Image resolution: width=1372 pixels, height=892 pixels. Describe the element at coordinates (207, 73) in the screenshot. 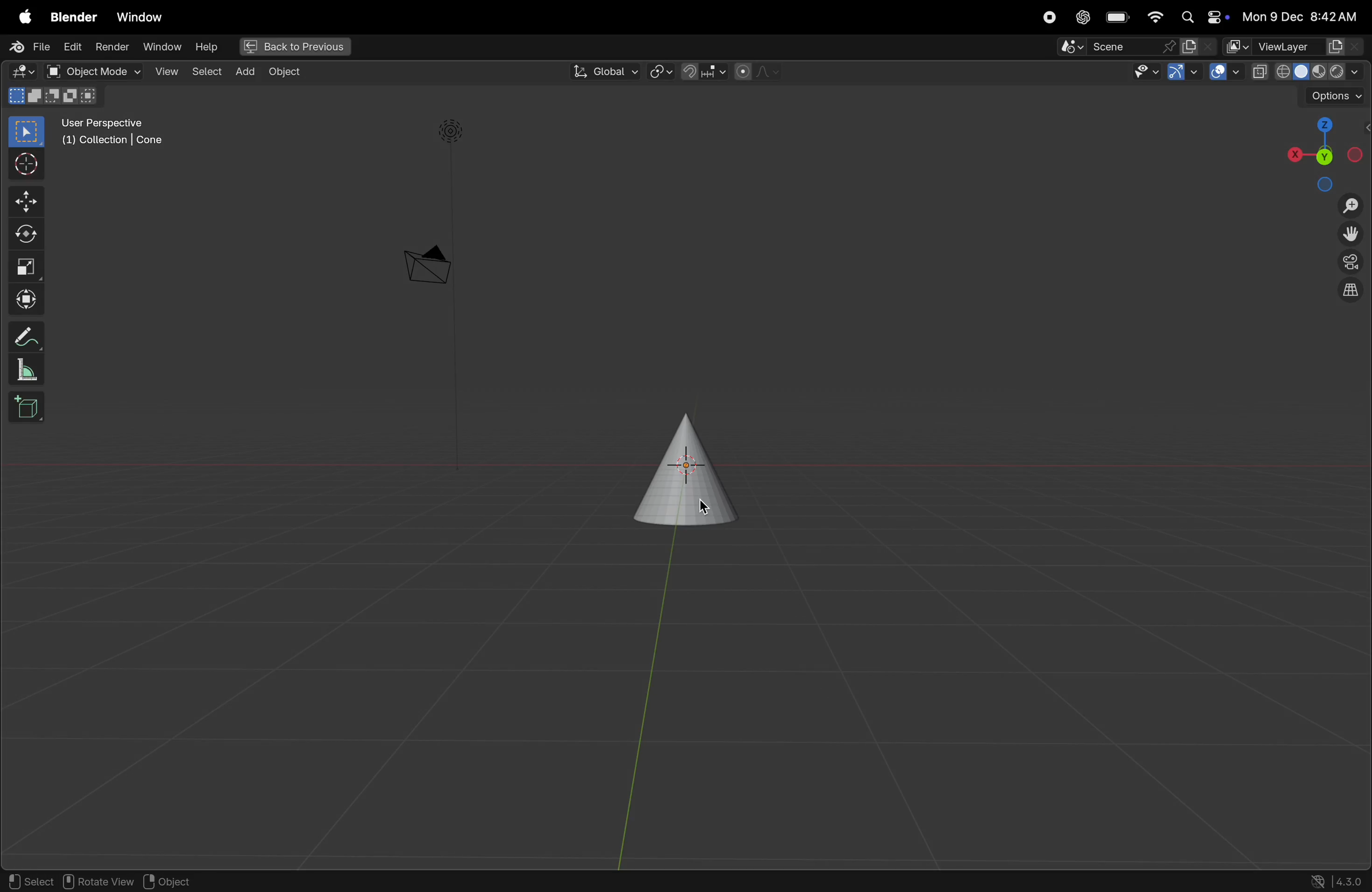

I see `select` at that location.